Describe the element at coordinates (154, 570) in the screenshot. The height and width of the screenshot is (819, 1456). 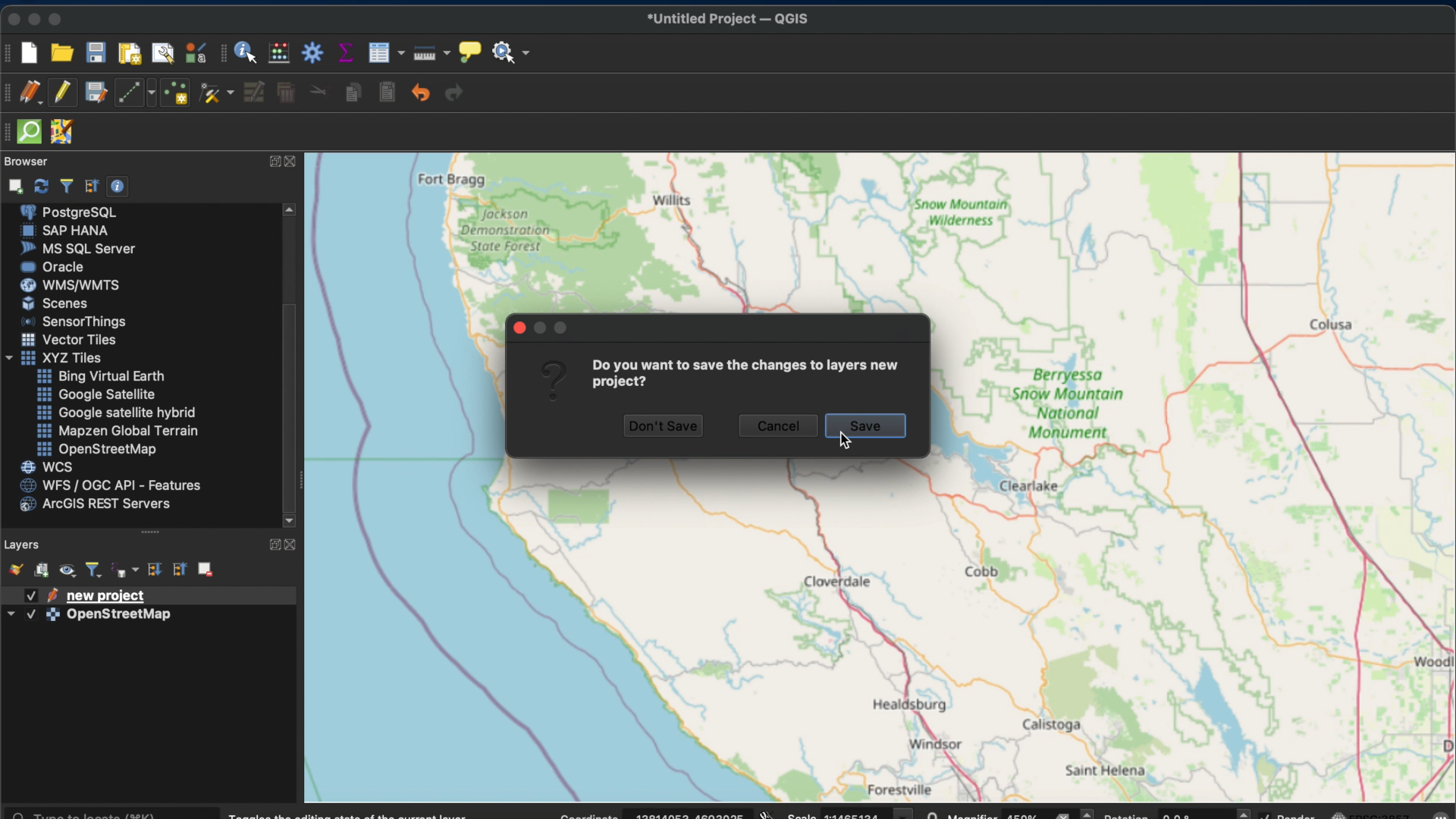
I see `expand all` at that location.